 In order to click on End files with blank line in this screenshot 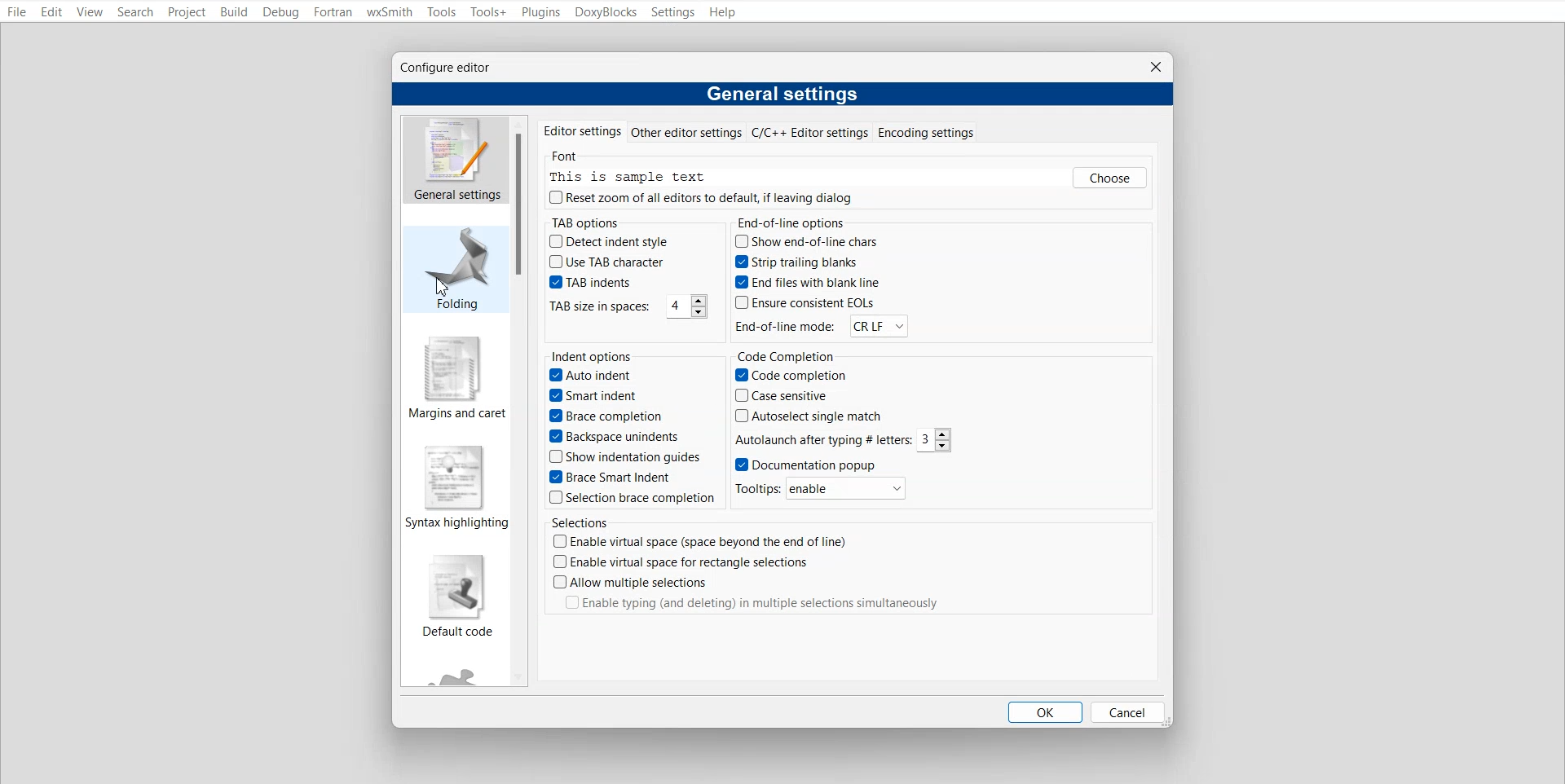, I will do `click(803, 284)`.